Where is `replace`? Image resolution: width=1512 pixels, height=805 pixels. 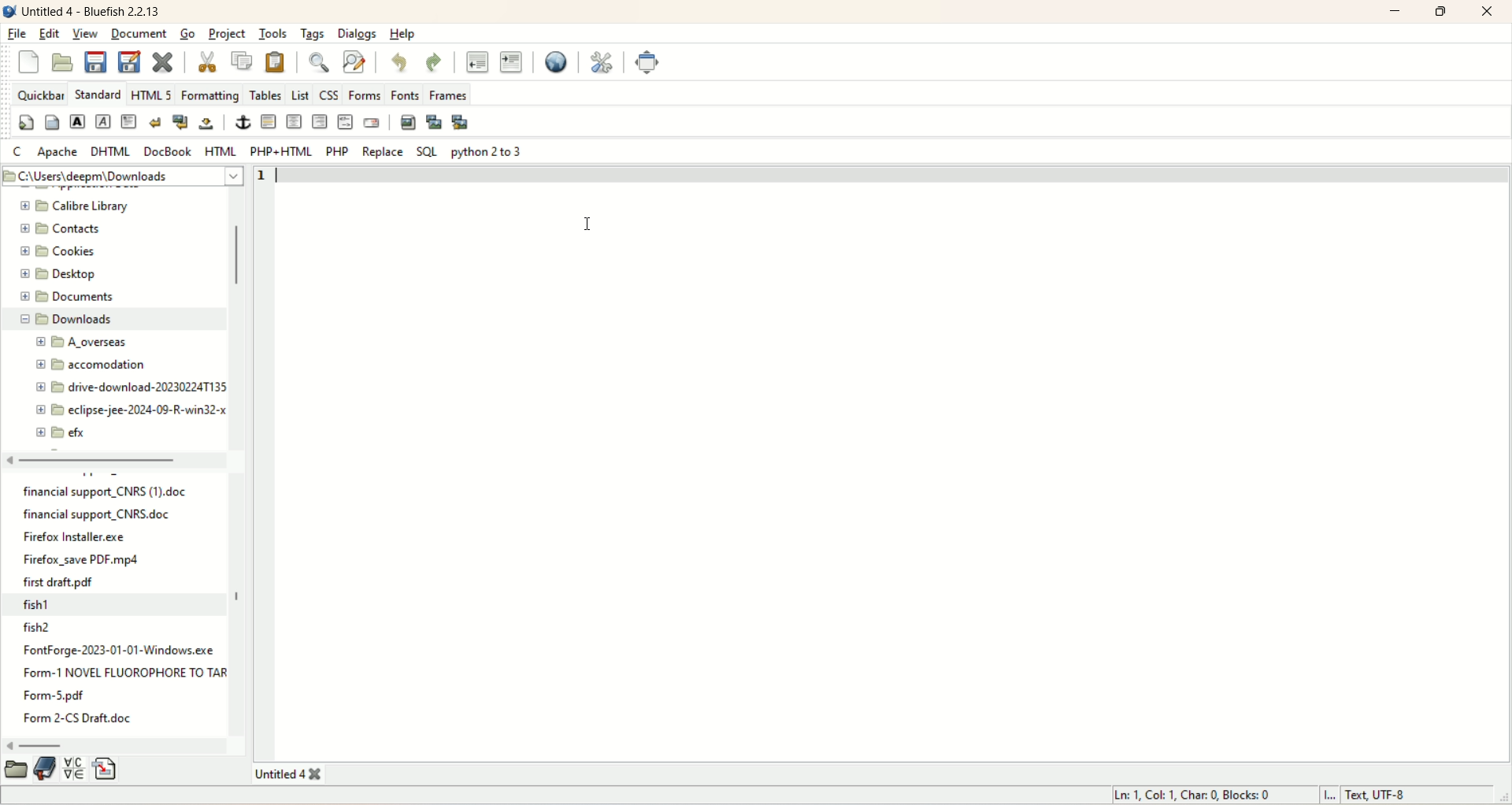
replace is located at coordinates (383, 152).